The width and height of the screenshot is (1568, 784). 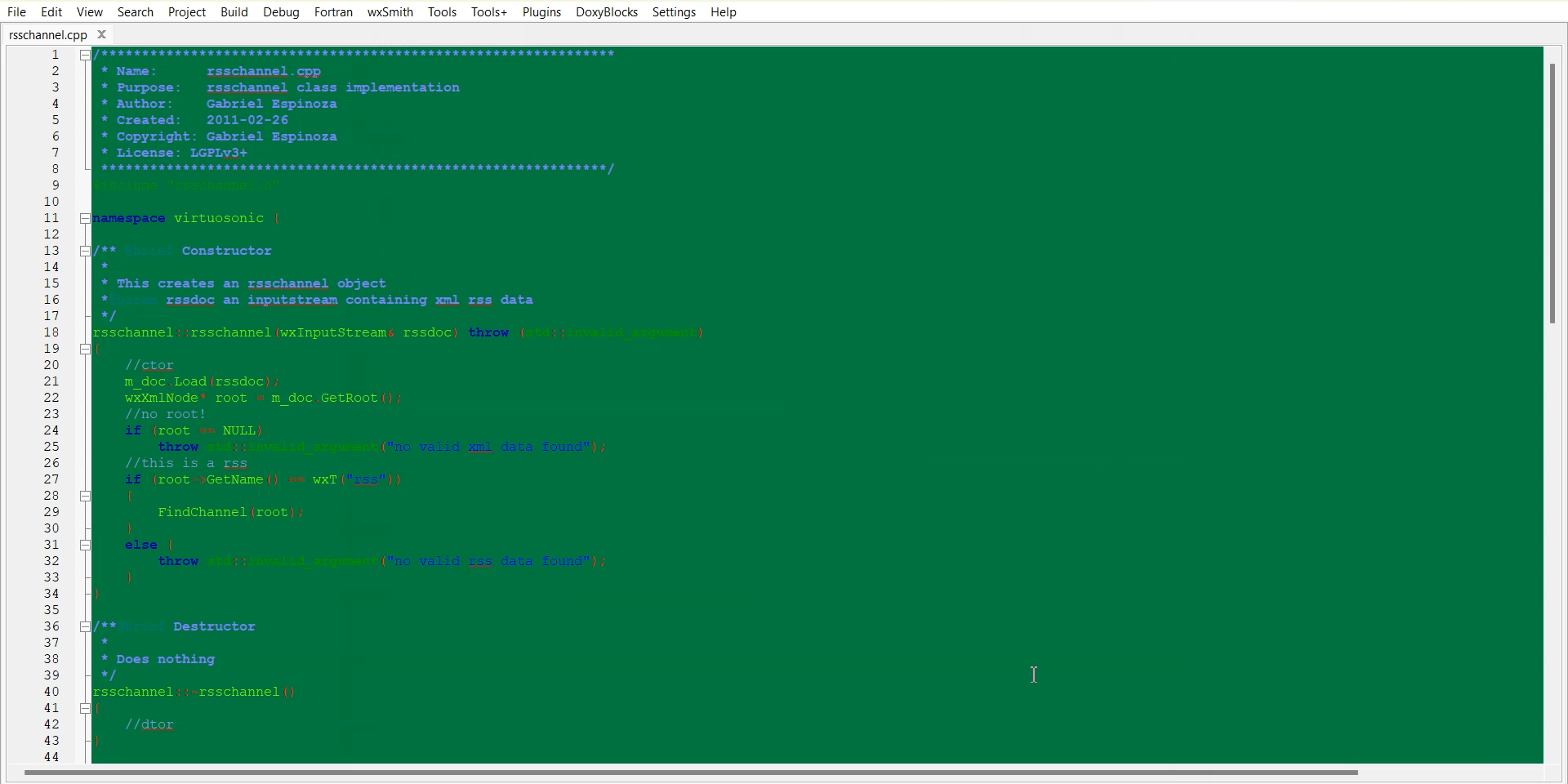 What do you see at coordinates (333, 12) in the screenshot?
I see `Fortran` at bounding box center [333, 12].